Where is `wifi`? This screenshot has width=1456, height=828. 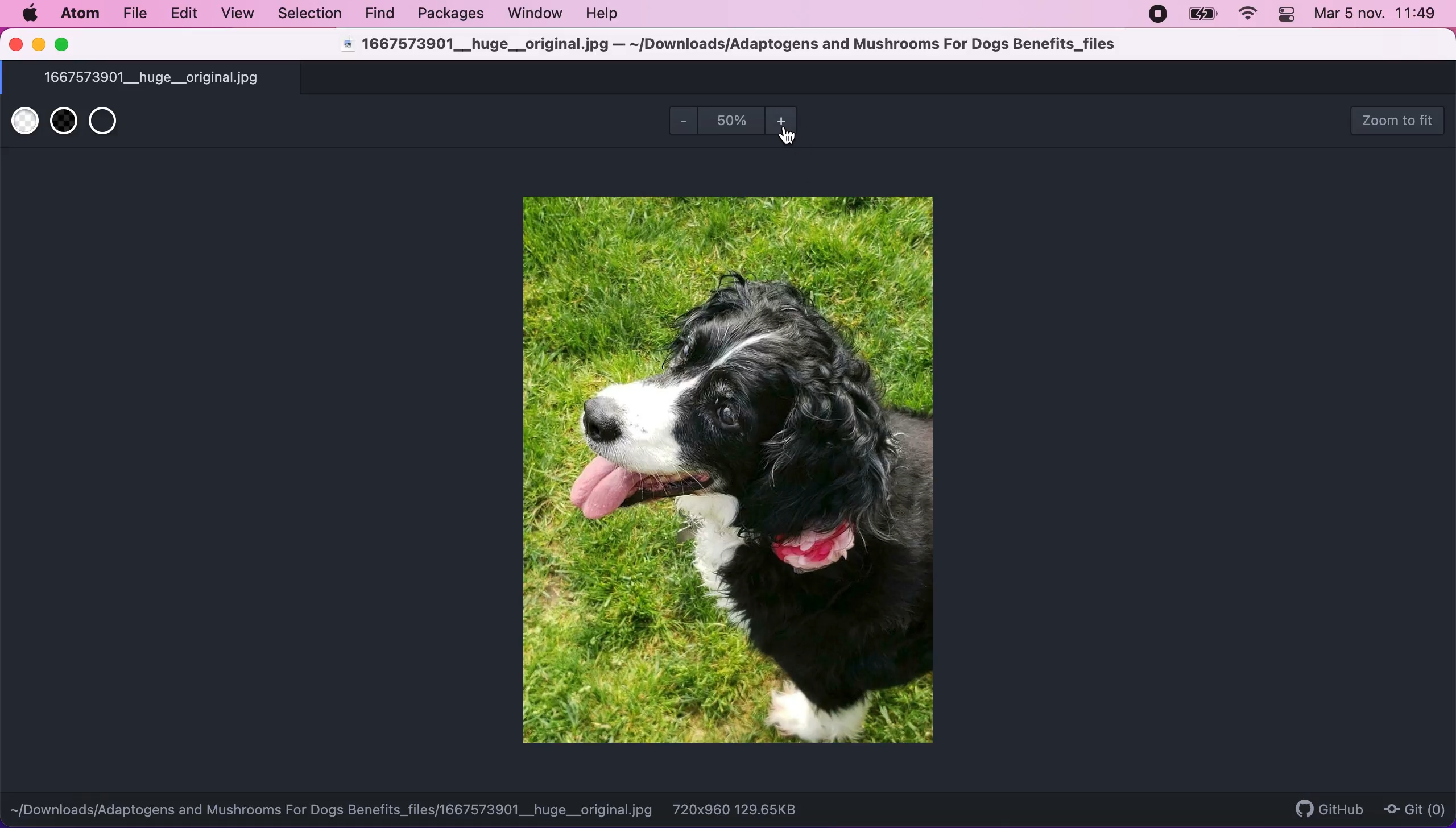
wifi is located at coordinates (1253, 15).